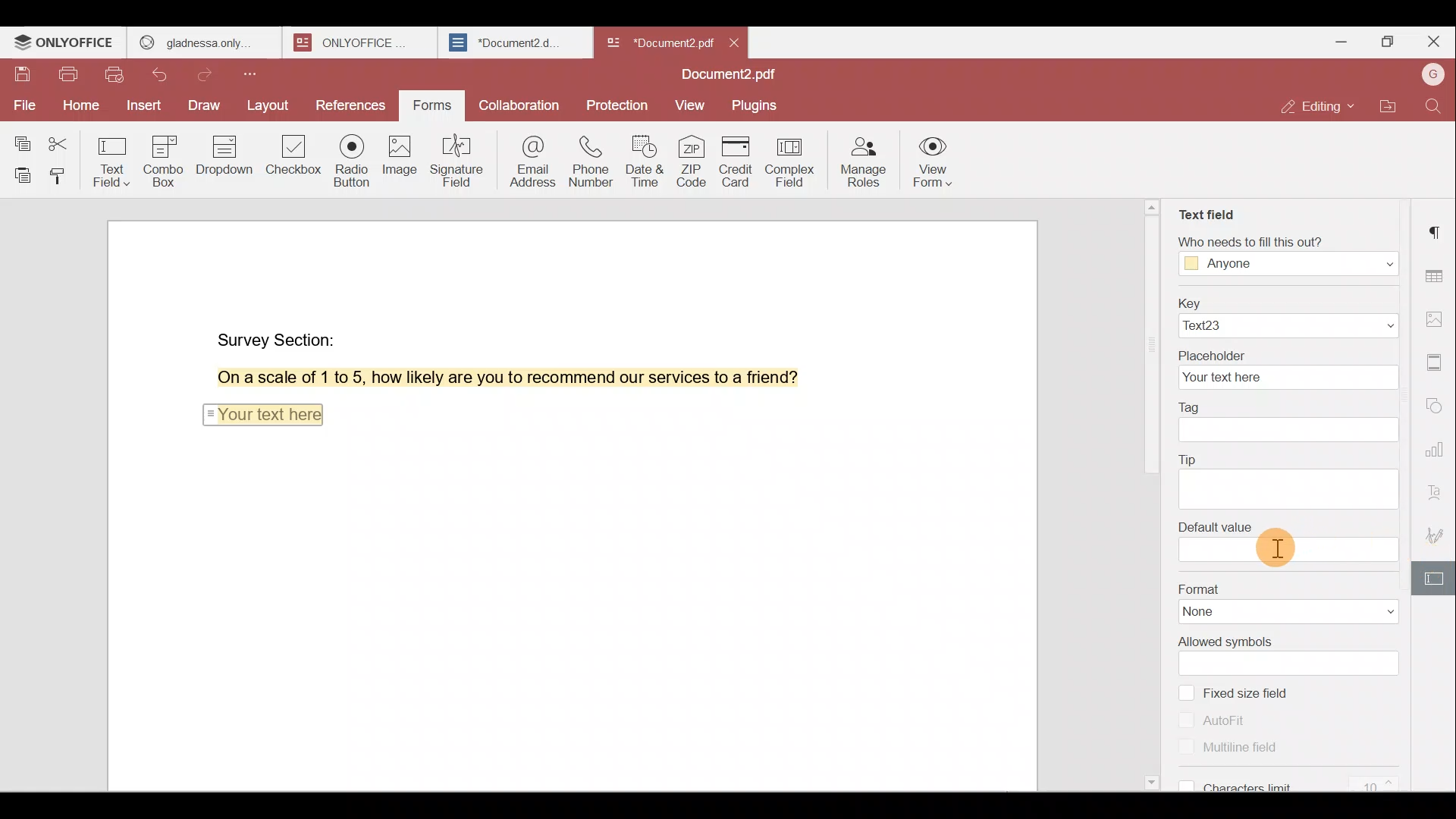 The image size is (1456, 819). What do you see at coordinates (1429, 579) in the screenshot?
I see `Form settings` at bounding box center [1429, 579].